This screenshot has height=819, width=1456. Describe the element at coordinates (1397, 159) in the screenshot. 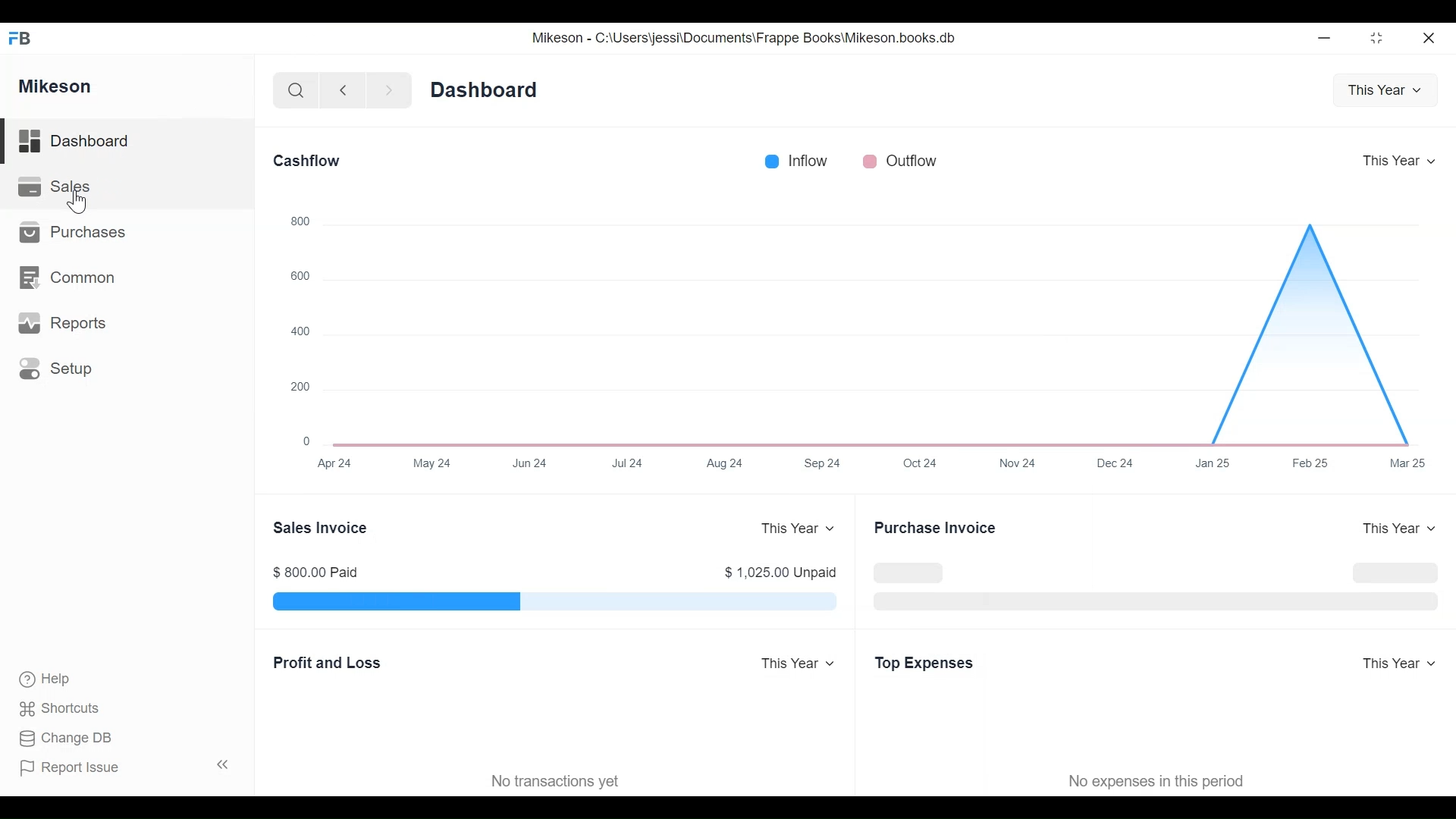

I see `This year` at that location.